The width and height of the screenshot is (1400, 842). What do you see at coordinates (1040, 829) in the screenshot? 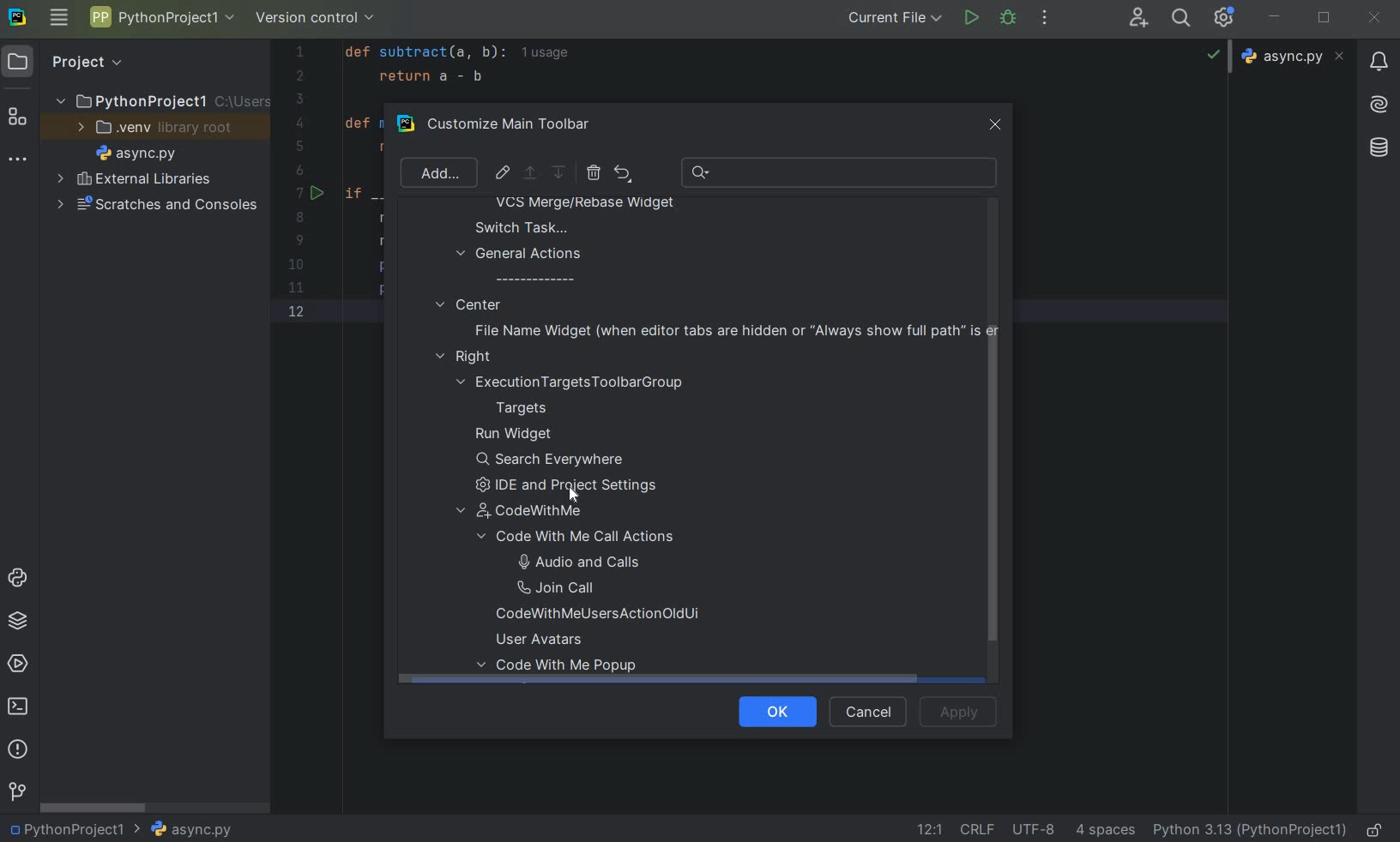
I see `FILE ENCODING` at bounding box center [1040, 829].